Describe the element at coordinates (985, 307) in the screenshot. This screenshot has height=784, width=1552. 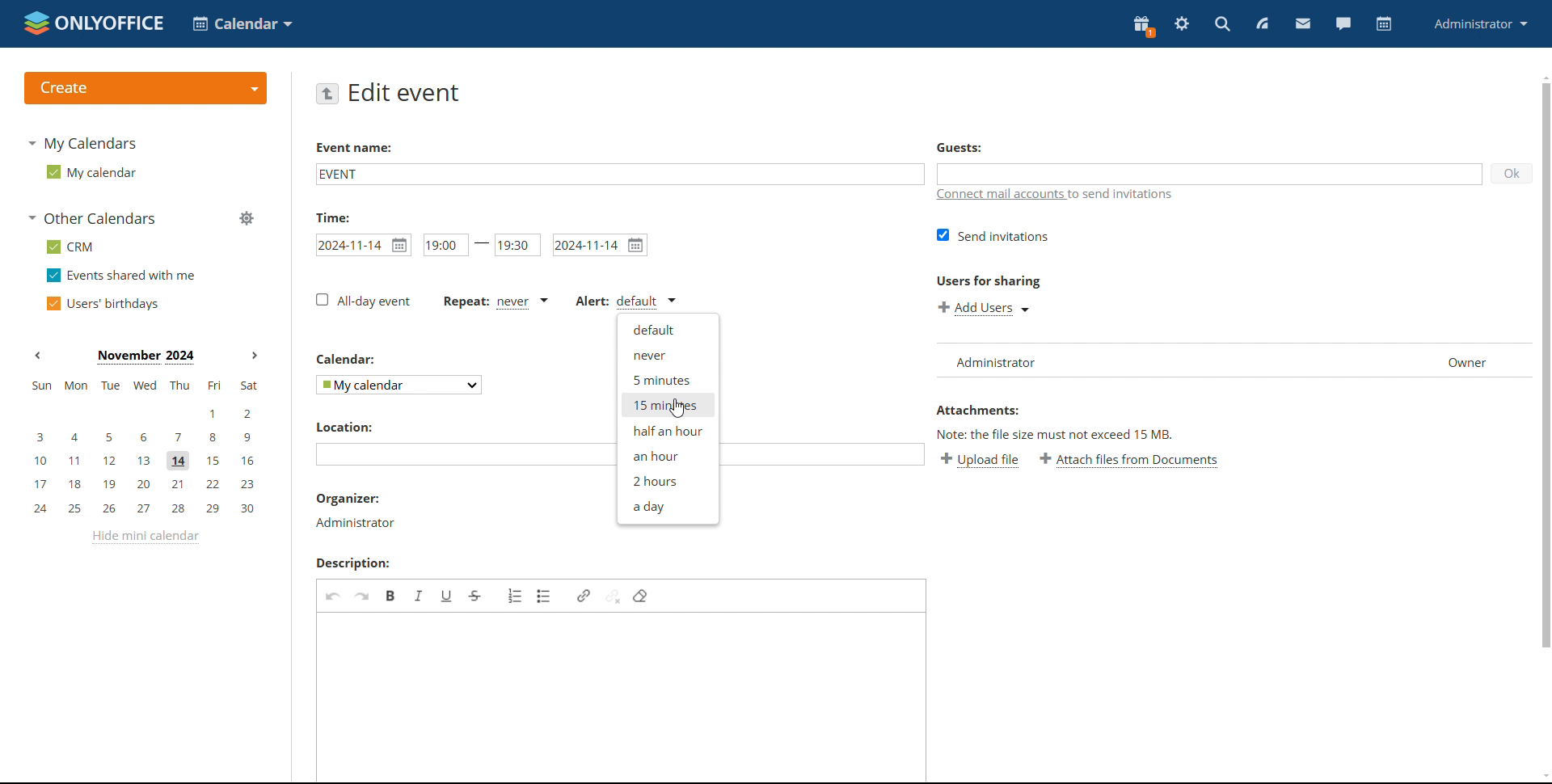
I see `add users` at that location.